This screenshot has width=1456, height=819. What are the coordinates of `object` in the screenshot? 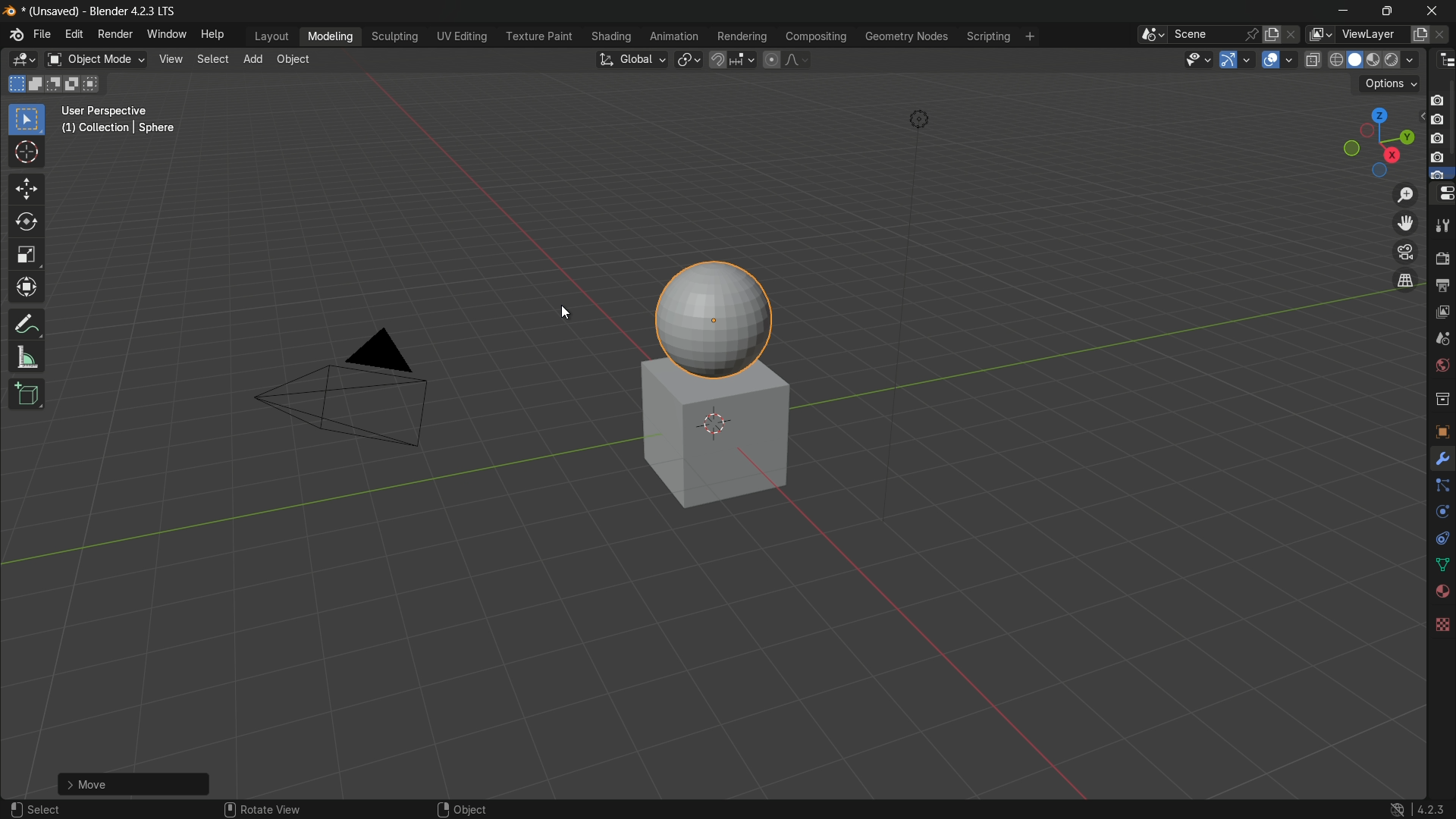 It's located at (460, 809).